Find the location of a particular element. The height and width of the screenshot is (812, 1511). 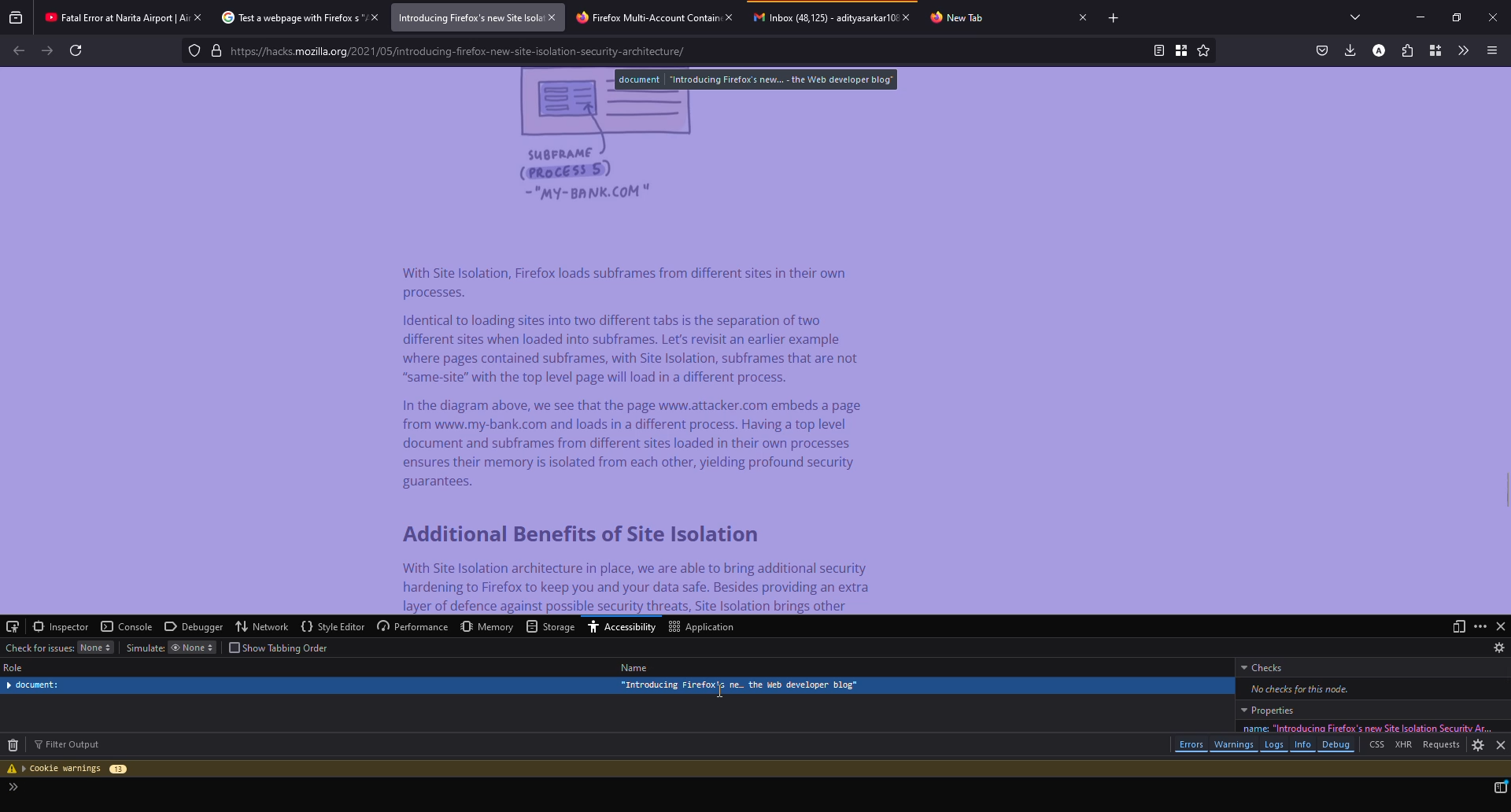

console is located at coordinates (125, 626).